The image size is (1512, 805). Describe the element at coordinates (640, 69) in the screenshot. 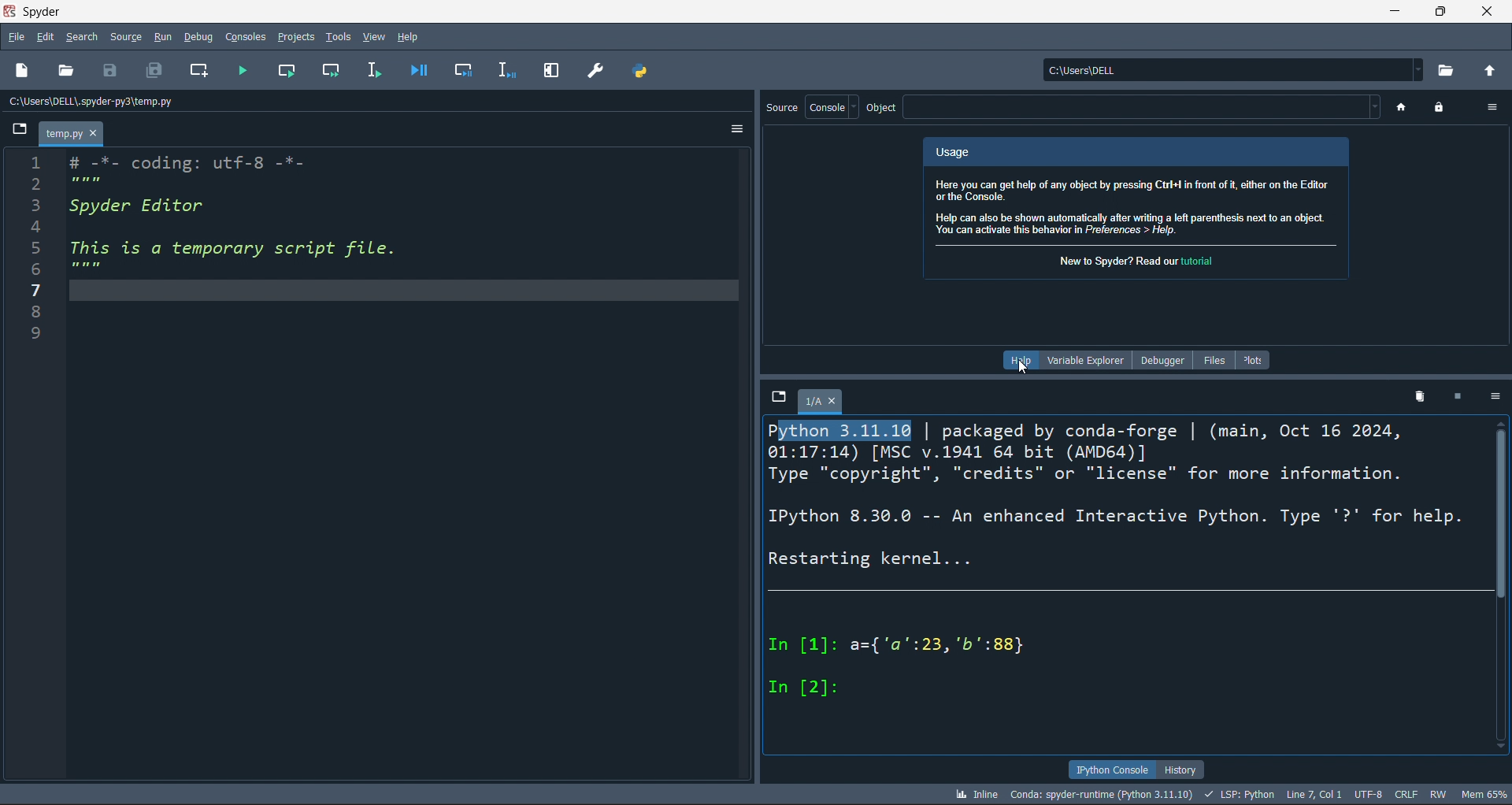

I see `path manager` at that location.